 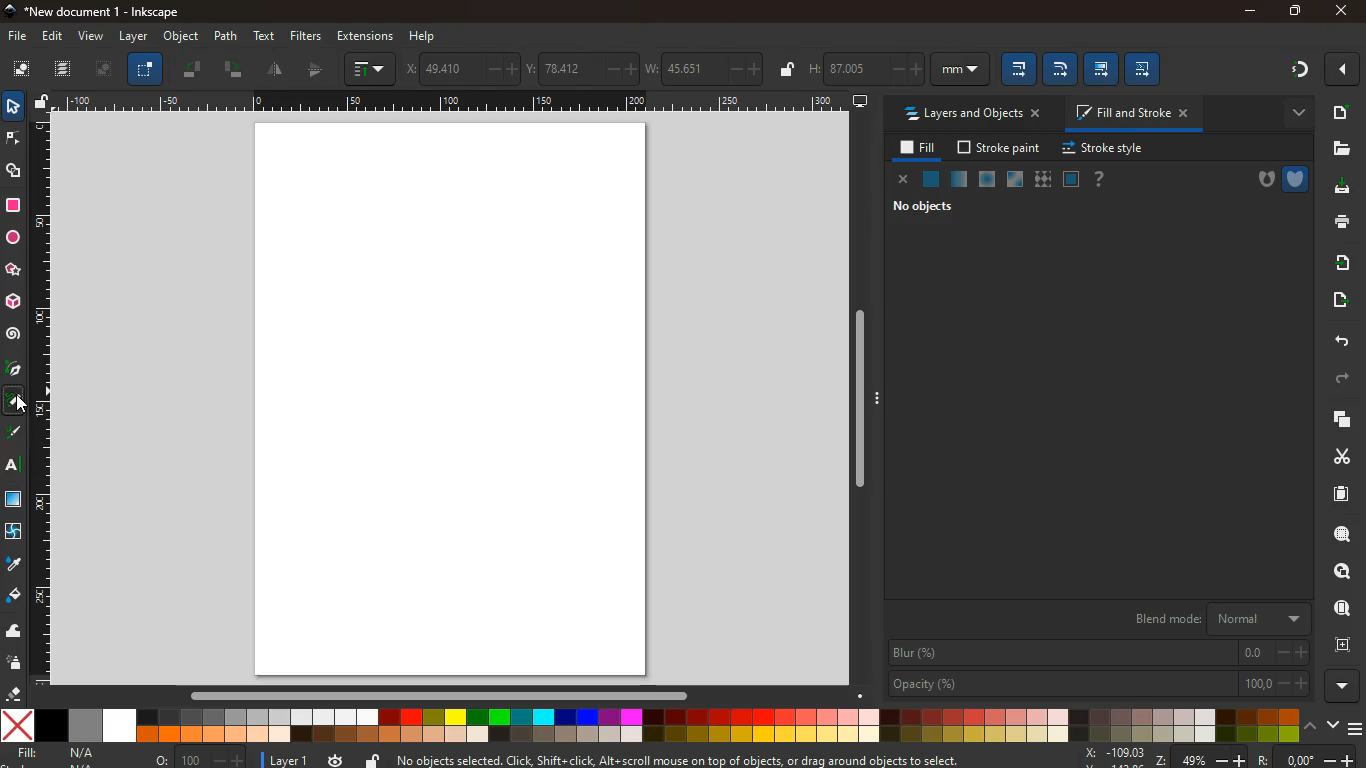 I want to click on normal, so click(x=931, y=182).